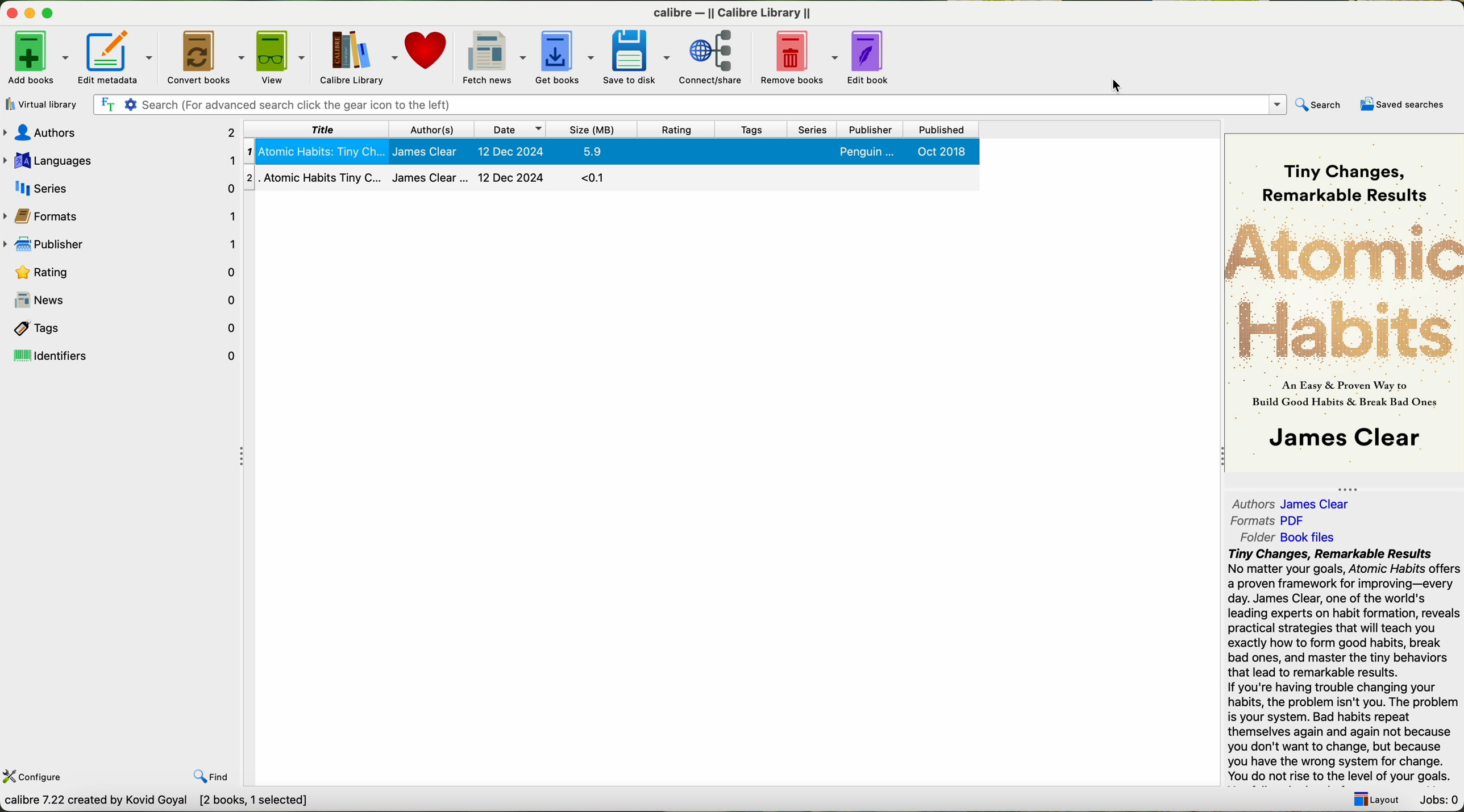 The height and width of the screenshot is (812, 1464). What do you see at coordinates (41, 104) in the screenshot?
I see `virtual library` at bounding box center [41, 104].